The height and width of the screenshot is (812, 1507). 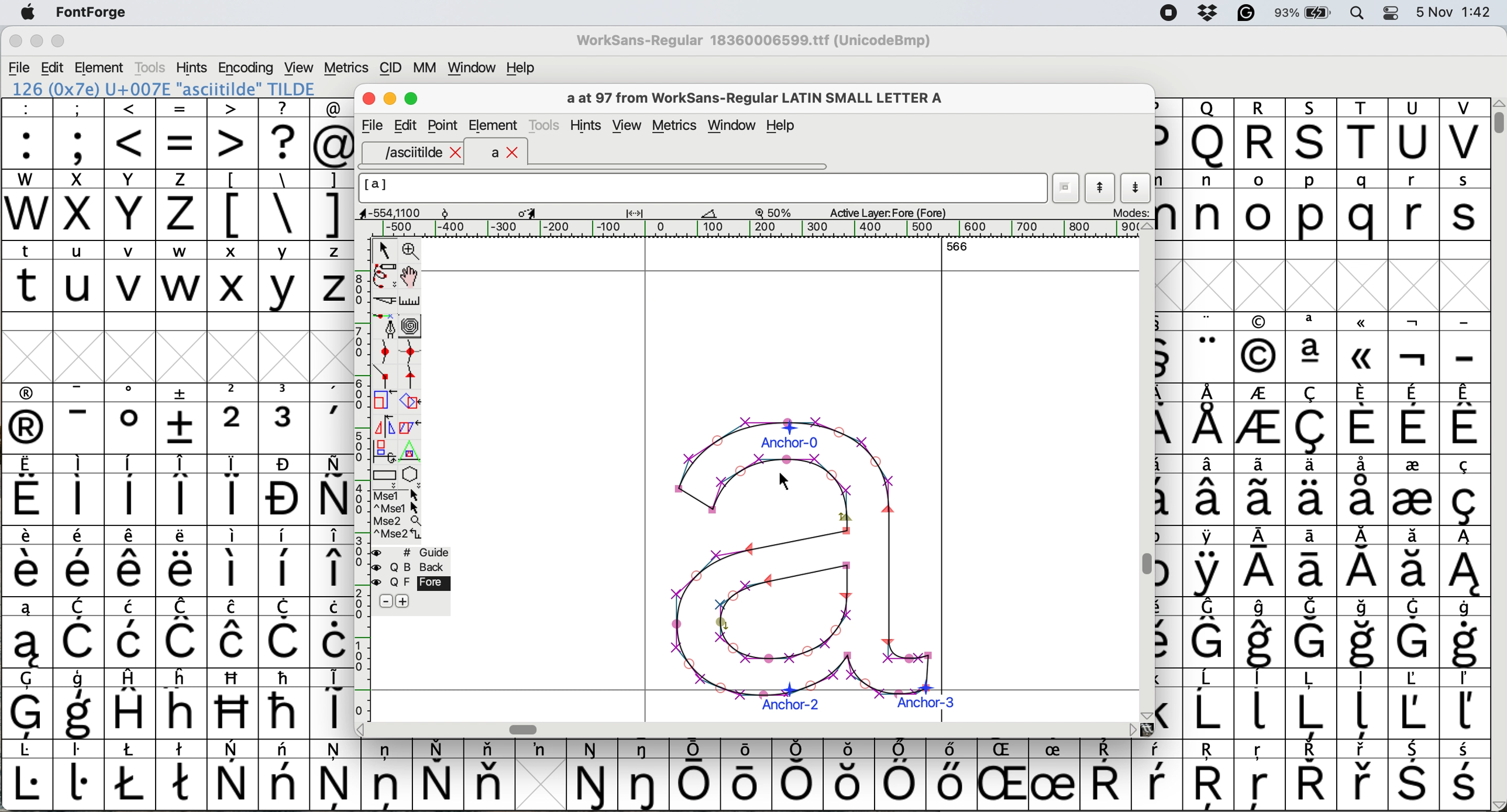 I want to click on tools, so click(x=149, y=67).